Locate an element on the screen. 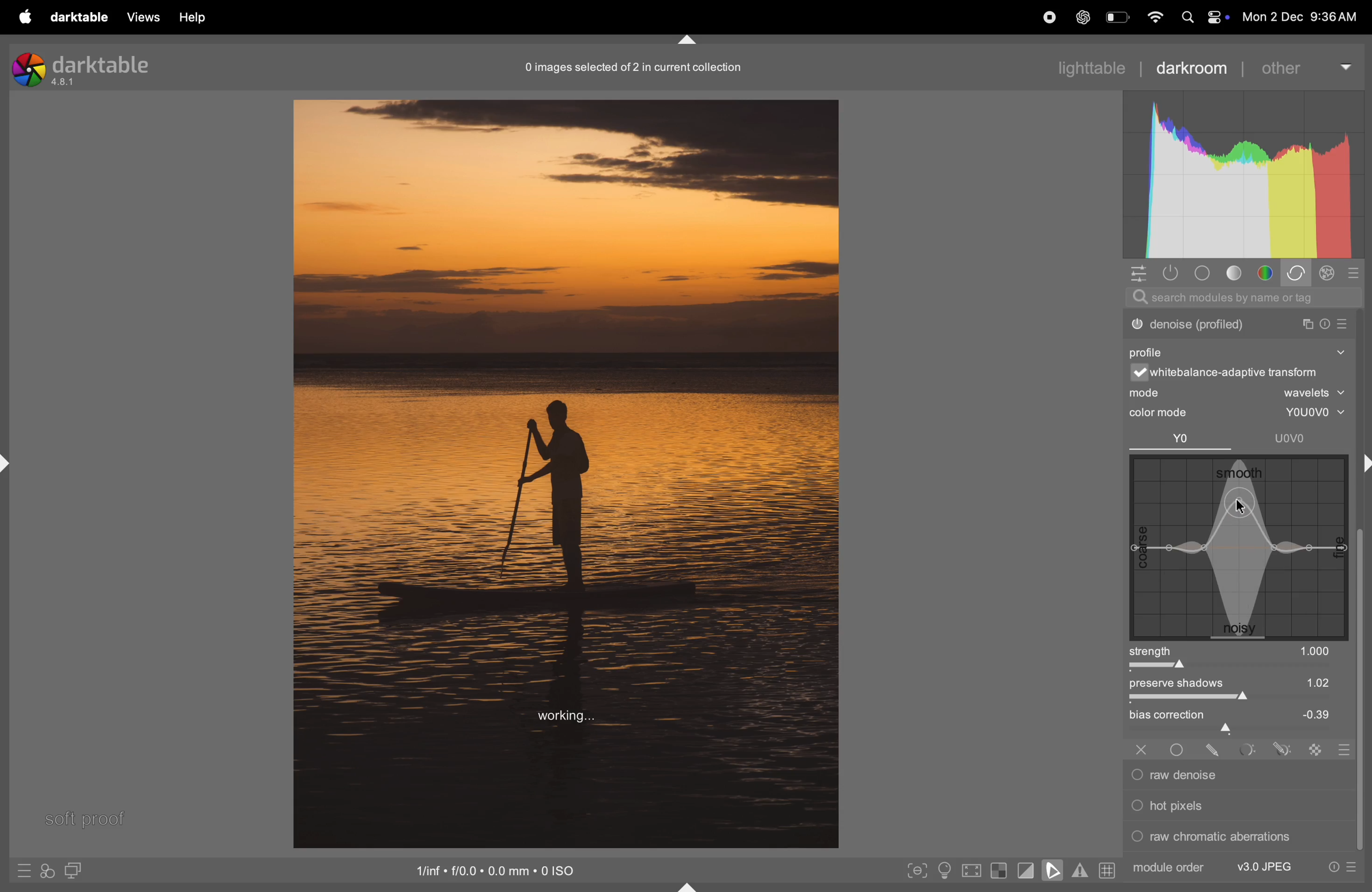 Image resolution: width=1372 pixels, height=892 pixels. record is located at coordinates (1043, 18).